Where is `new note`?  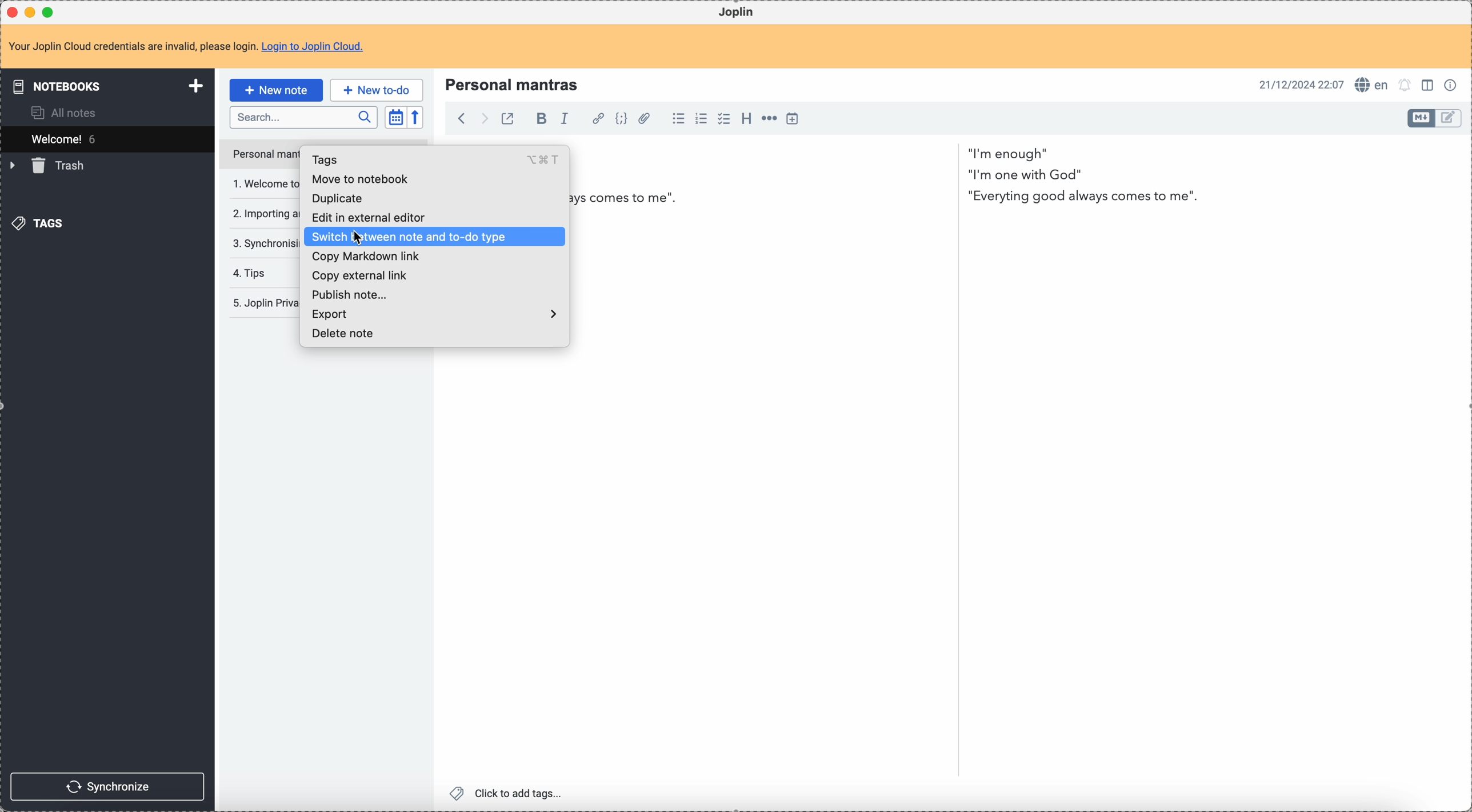
new note is located at coordinates (275, 90).